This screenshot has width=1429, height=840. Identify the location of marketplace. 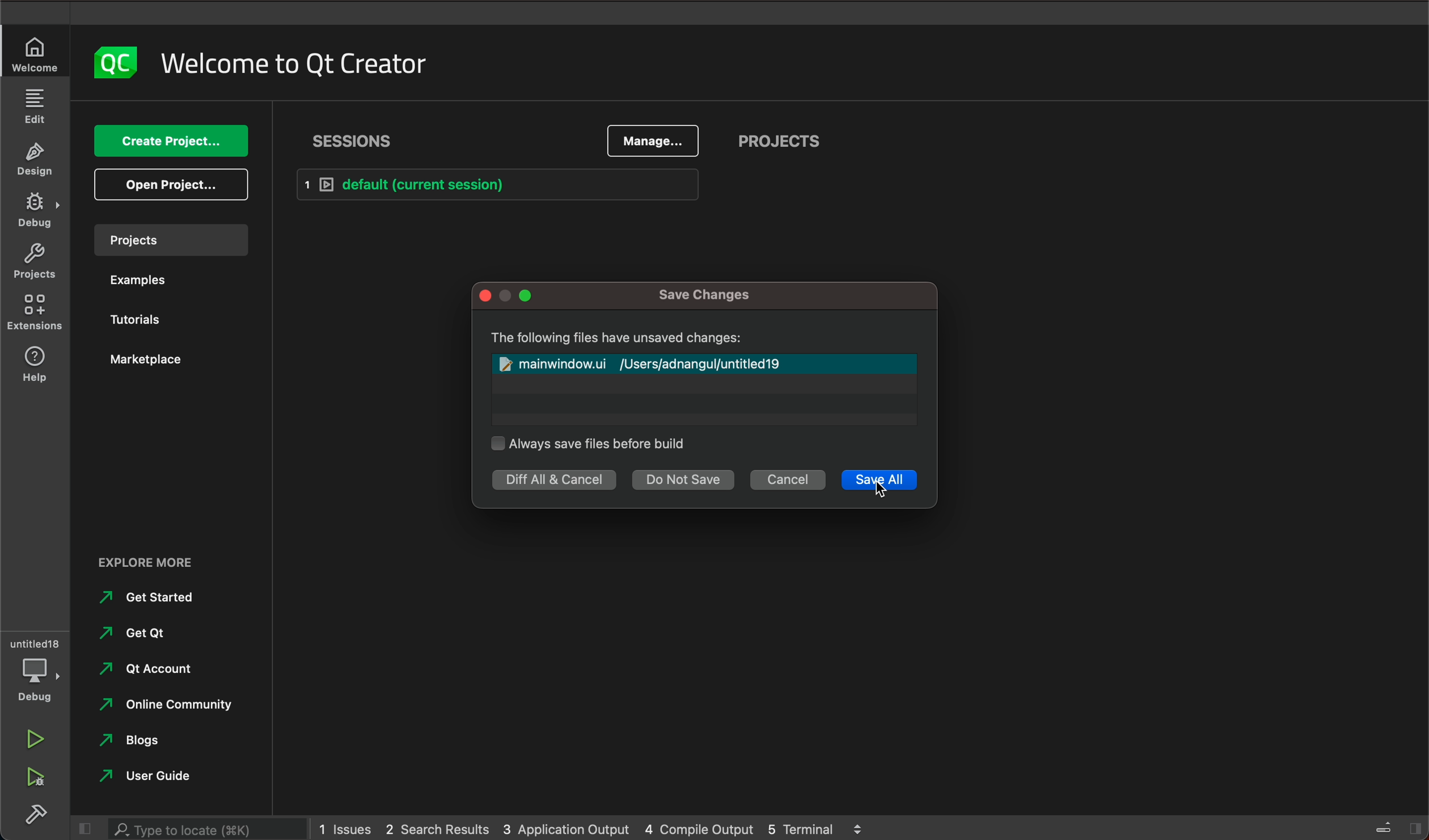
(171, 360).